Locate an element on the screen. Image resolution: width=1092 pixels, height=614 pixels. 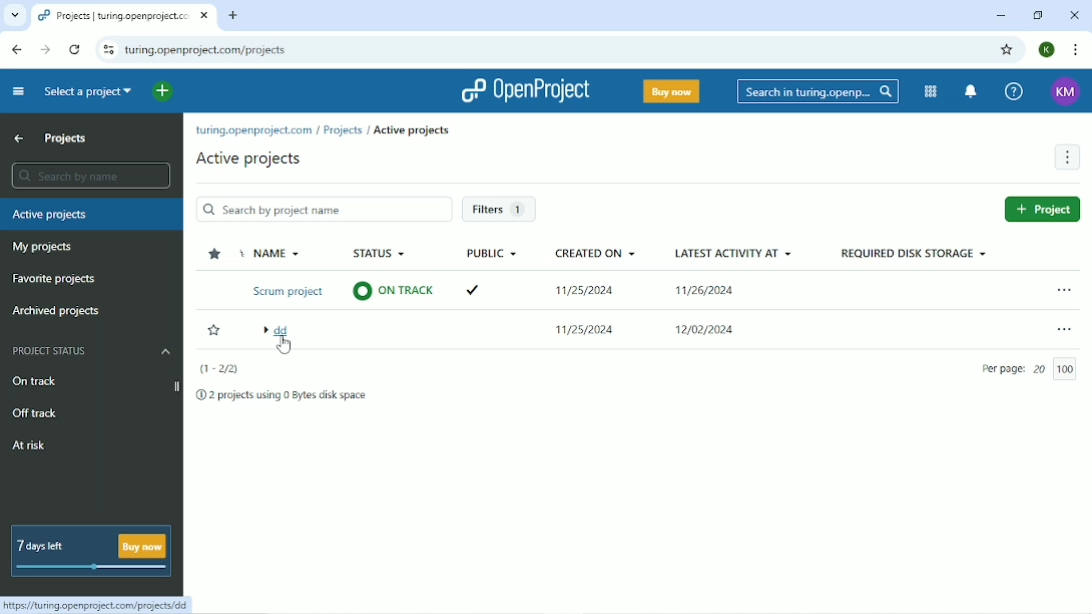
To notification center is located at coordinates (970, 92).